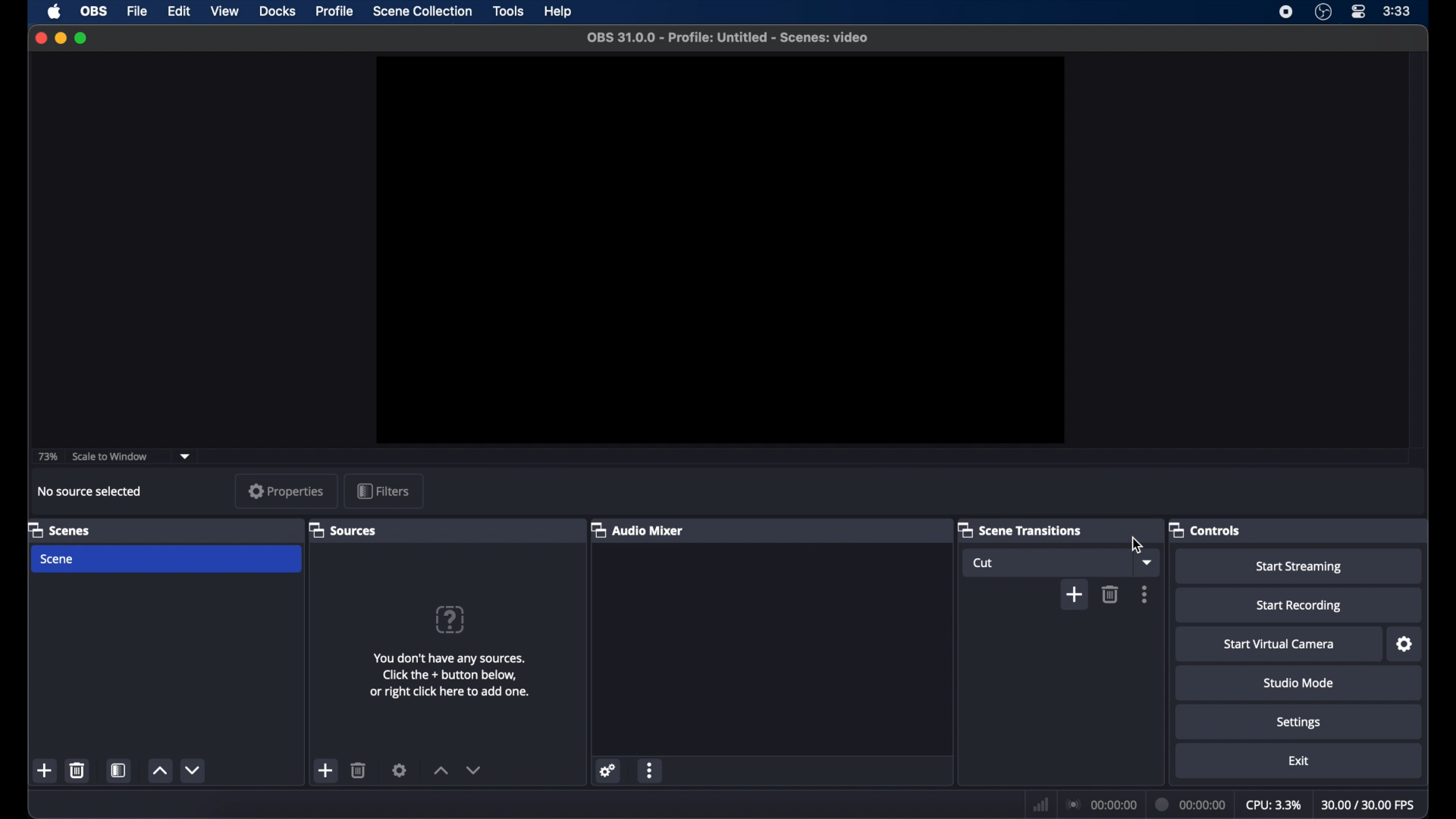 The width and height of the screenshot is (1456, 819). What do you see at coordinates (1205, 529) in the screenshot?
I see `controls` at bounding box center [1205, 529].